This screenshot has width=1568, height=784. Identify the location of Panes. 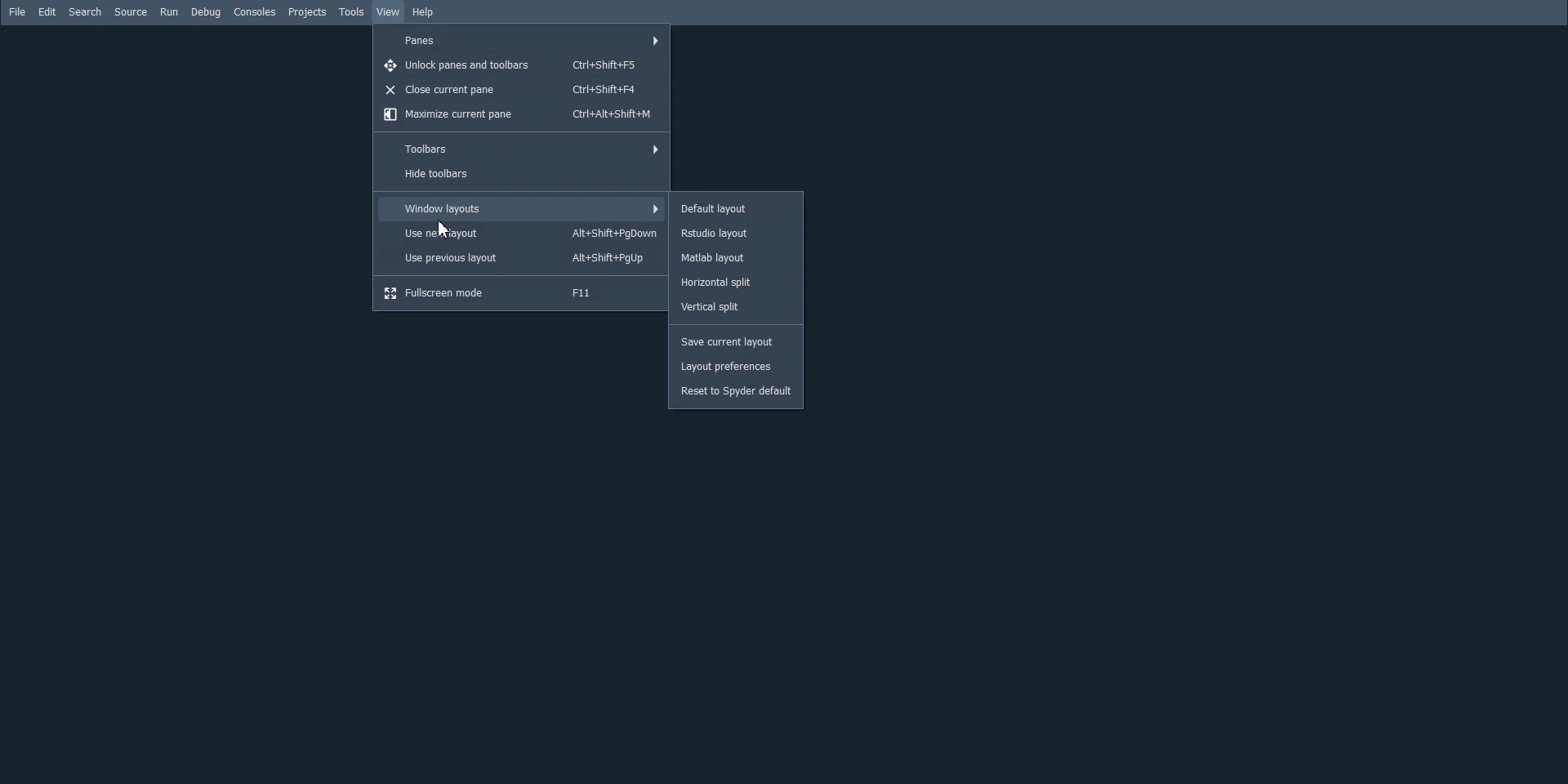
(522, 41).